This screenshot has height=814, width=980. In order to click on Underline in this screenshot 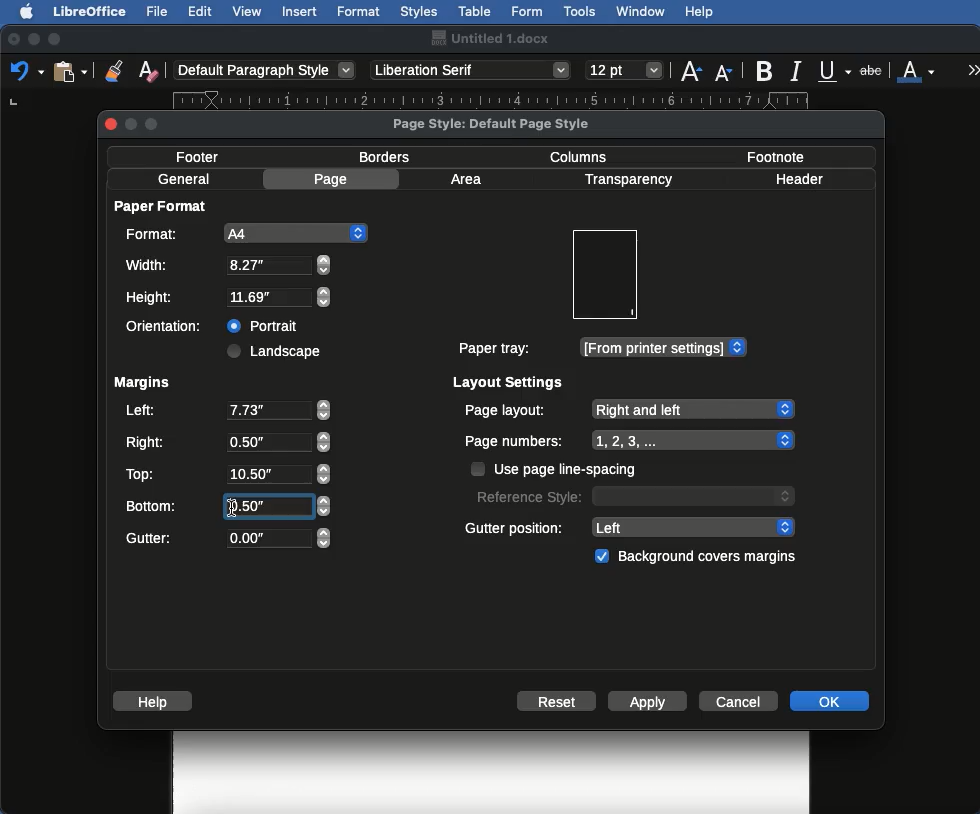, I will do `click(836, 72)`.